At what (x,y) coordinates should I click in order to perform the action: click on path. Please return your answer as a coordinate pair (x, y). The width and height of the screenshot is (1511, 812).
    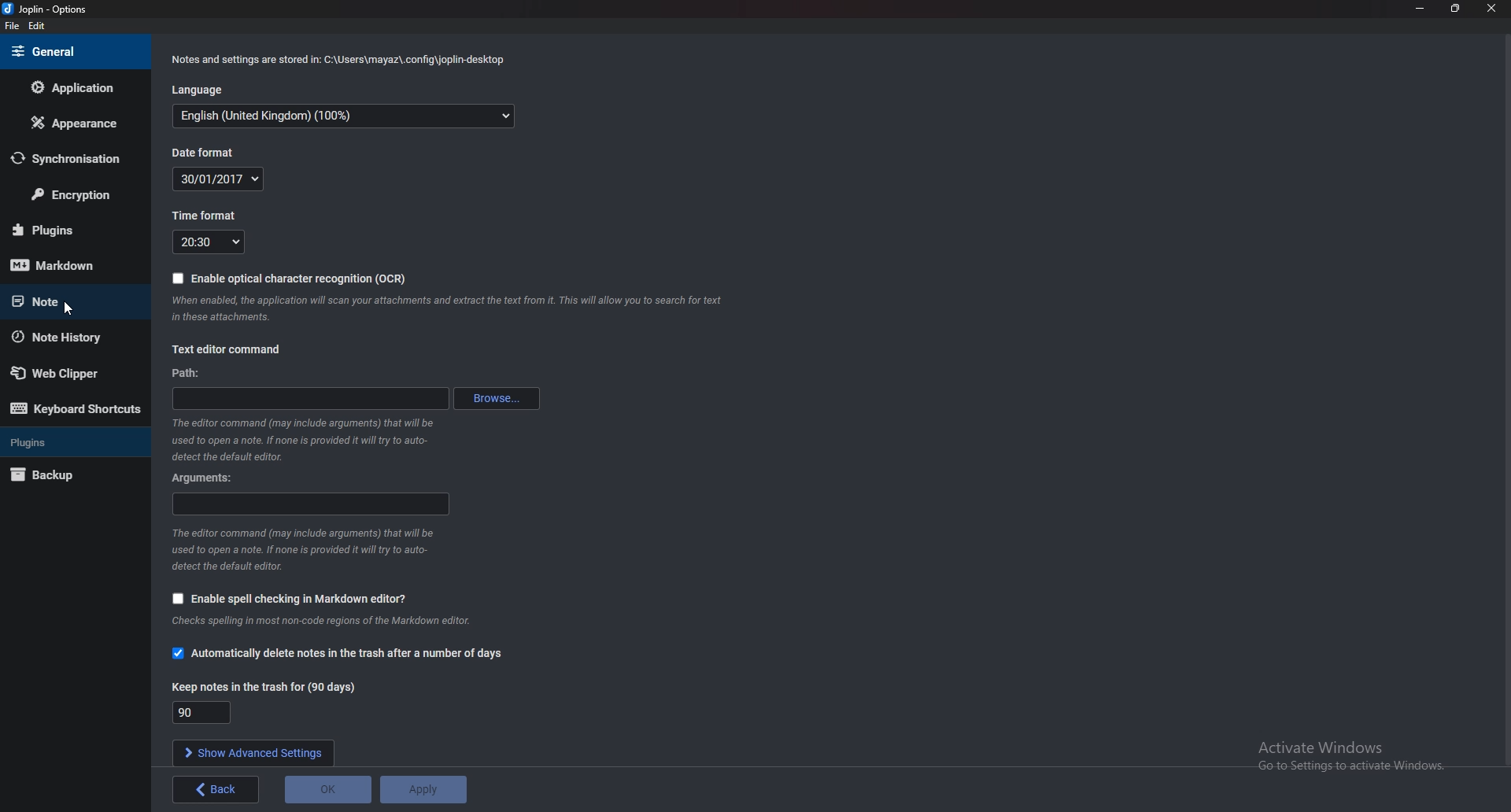
    Looking at the image, I should click on (311, 397).